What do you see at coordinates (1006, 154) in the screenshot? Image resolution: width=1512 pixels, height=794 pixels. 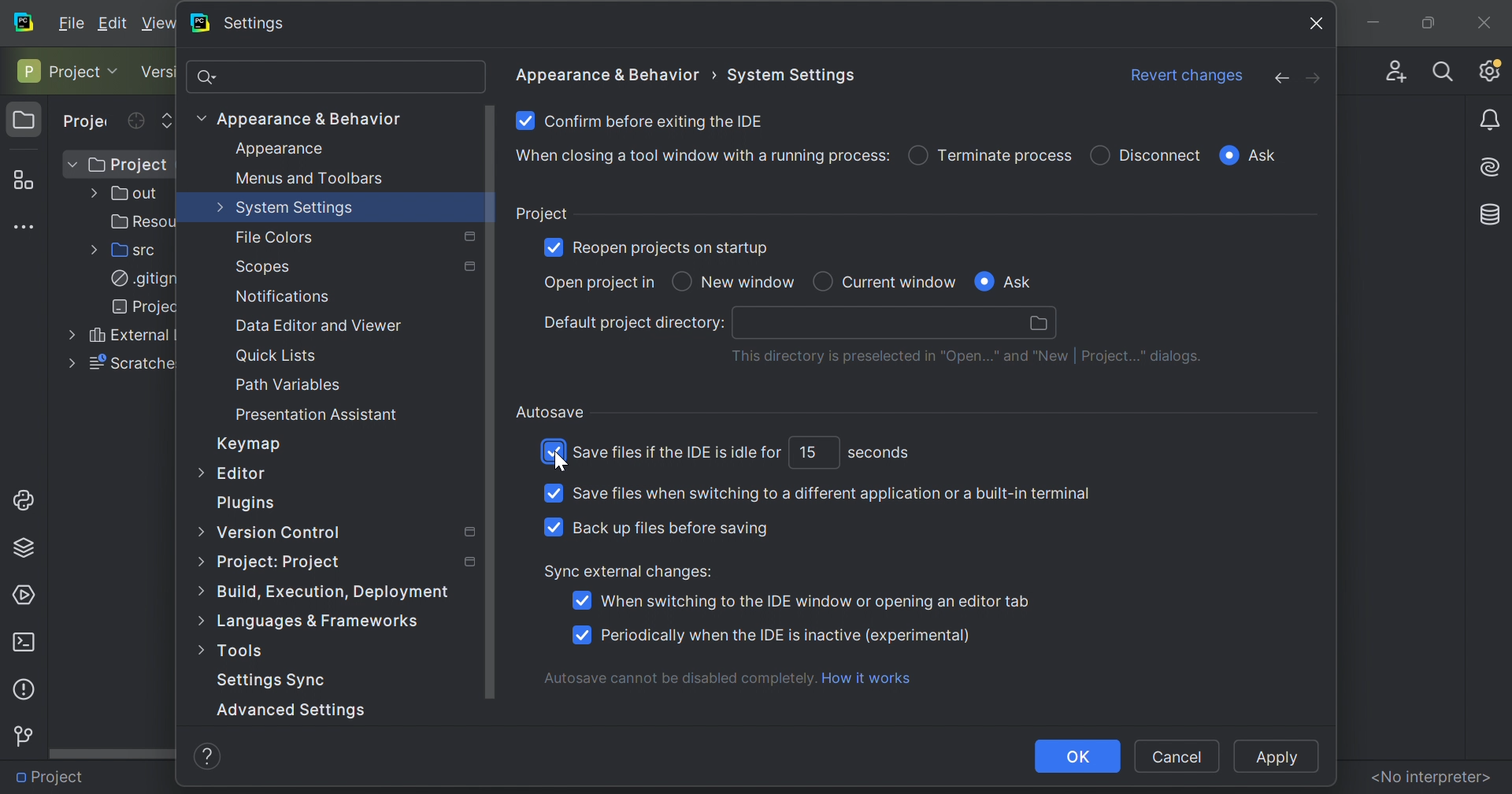 I see `Terminate process` at bounding box center [1006, 154].